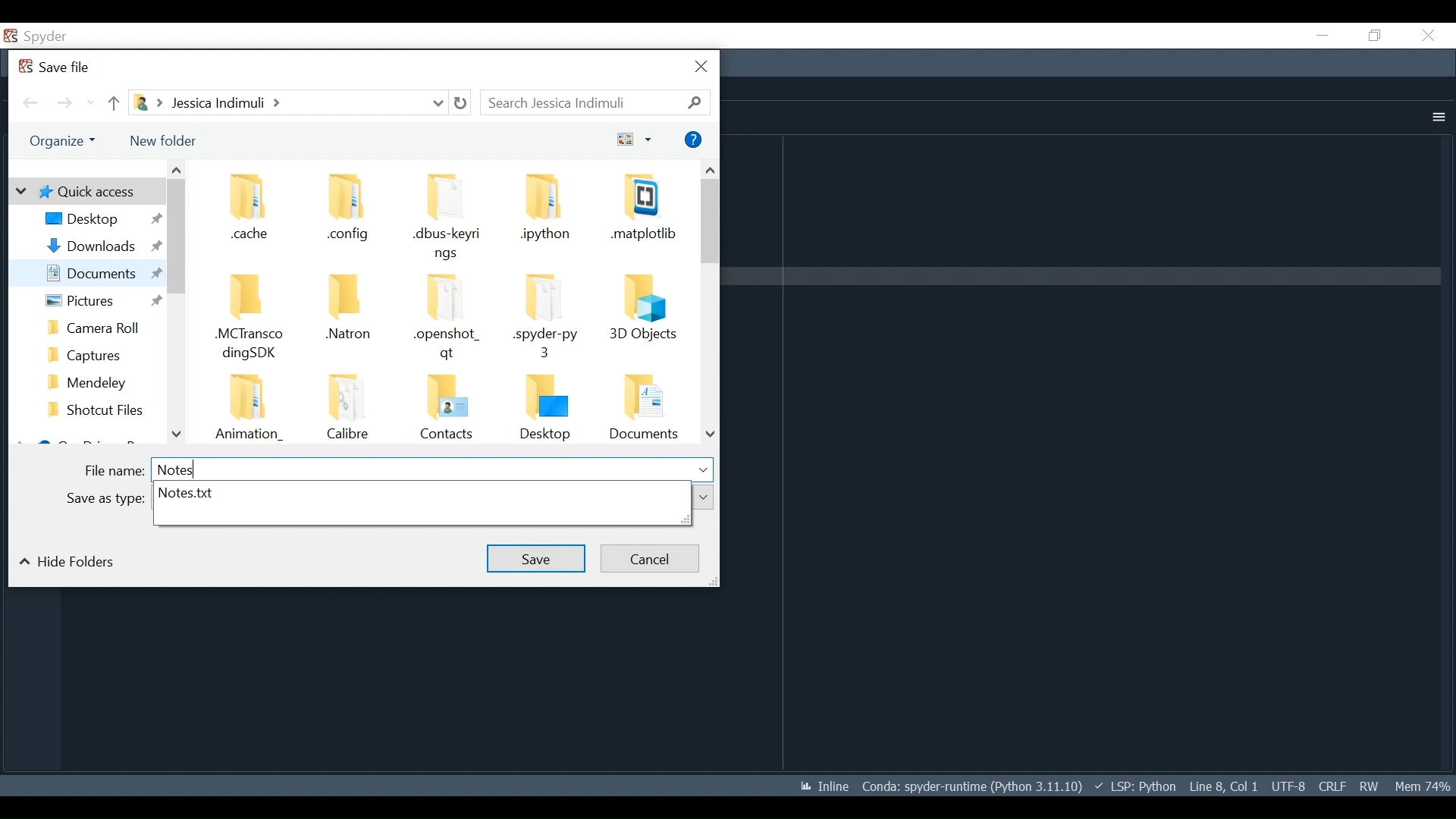 The image size is (1456, 819). What do you see at coordinates (64, 38) in the screenshot?
I see `spyder` at bounding box center [64, 38].